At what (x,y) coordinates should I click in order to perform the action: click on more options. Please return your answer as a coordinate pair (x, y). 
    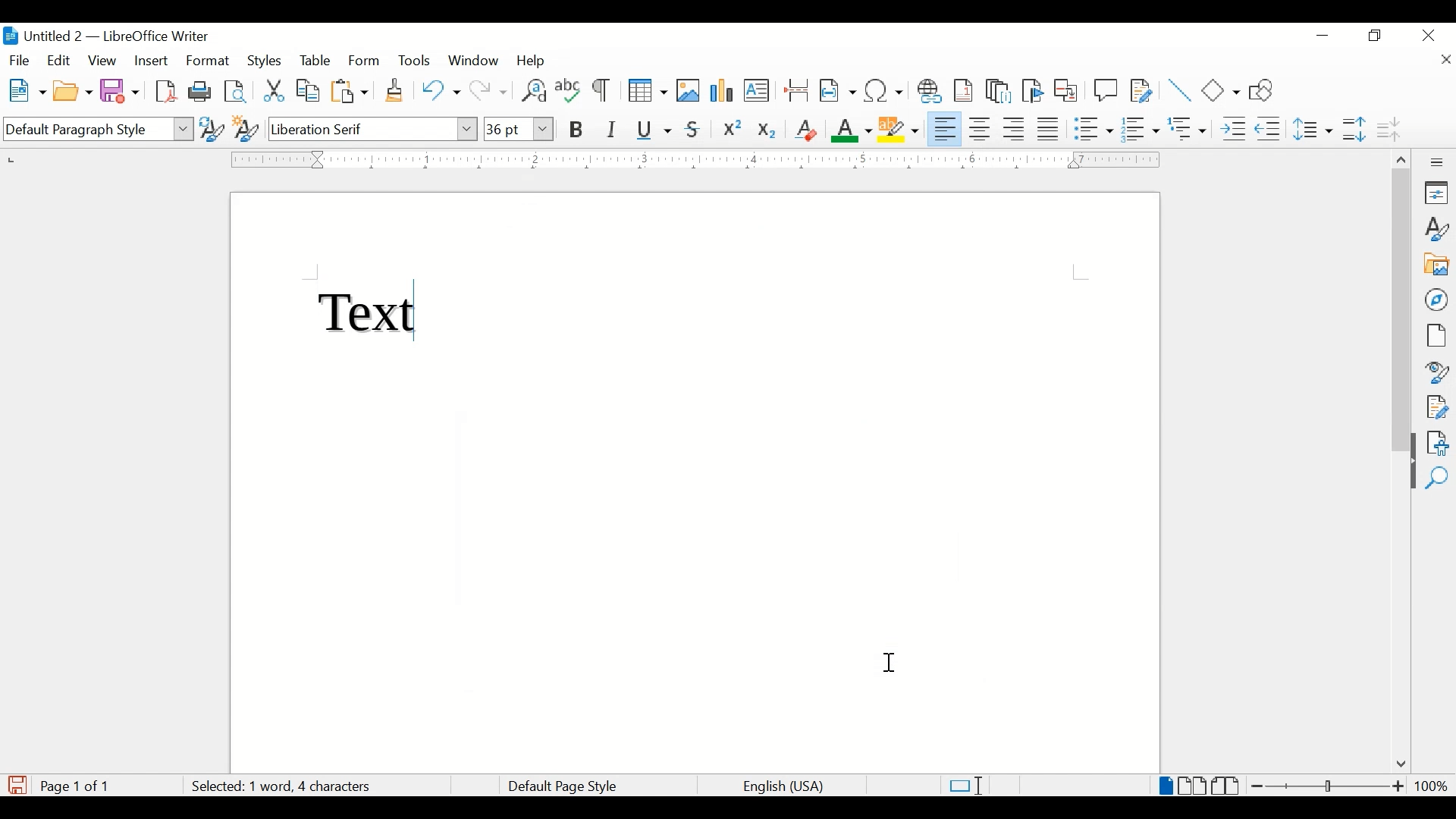
    Looking at the image, I should click on (1439, 162).